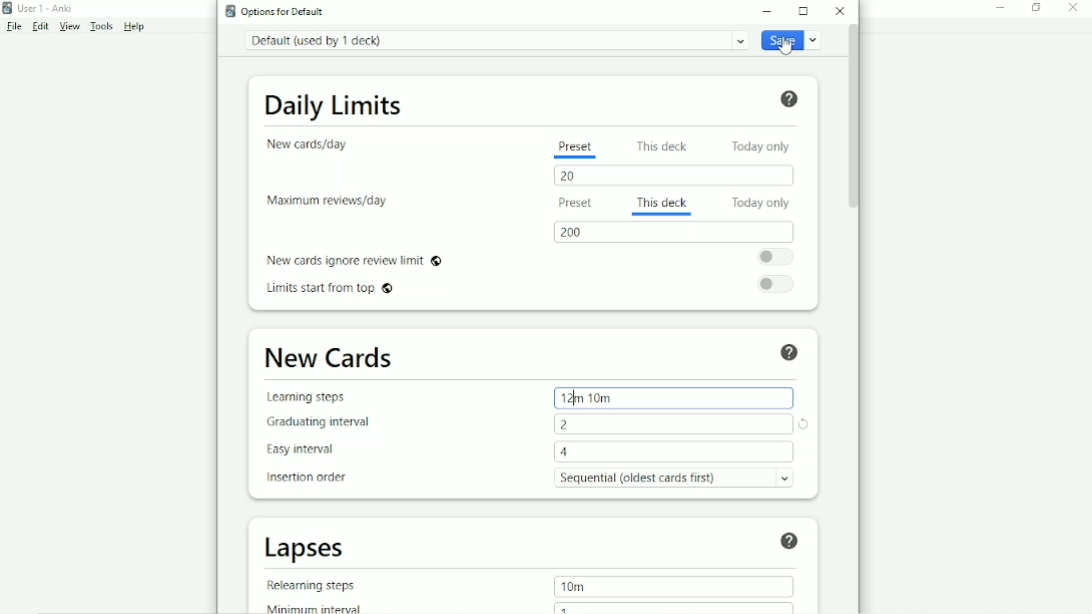 Image resolution: width=1092 pixels, height=614 pixels. Describe the element at coordinates (309, 607) in the screenshot. I see `Minimum interval` at that location.